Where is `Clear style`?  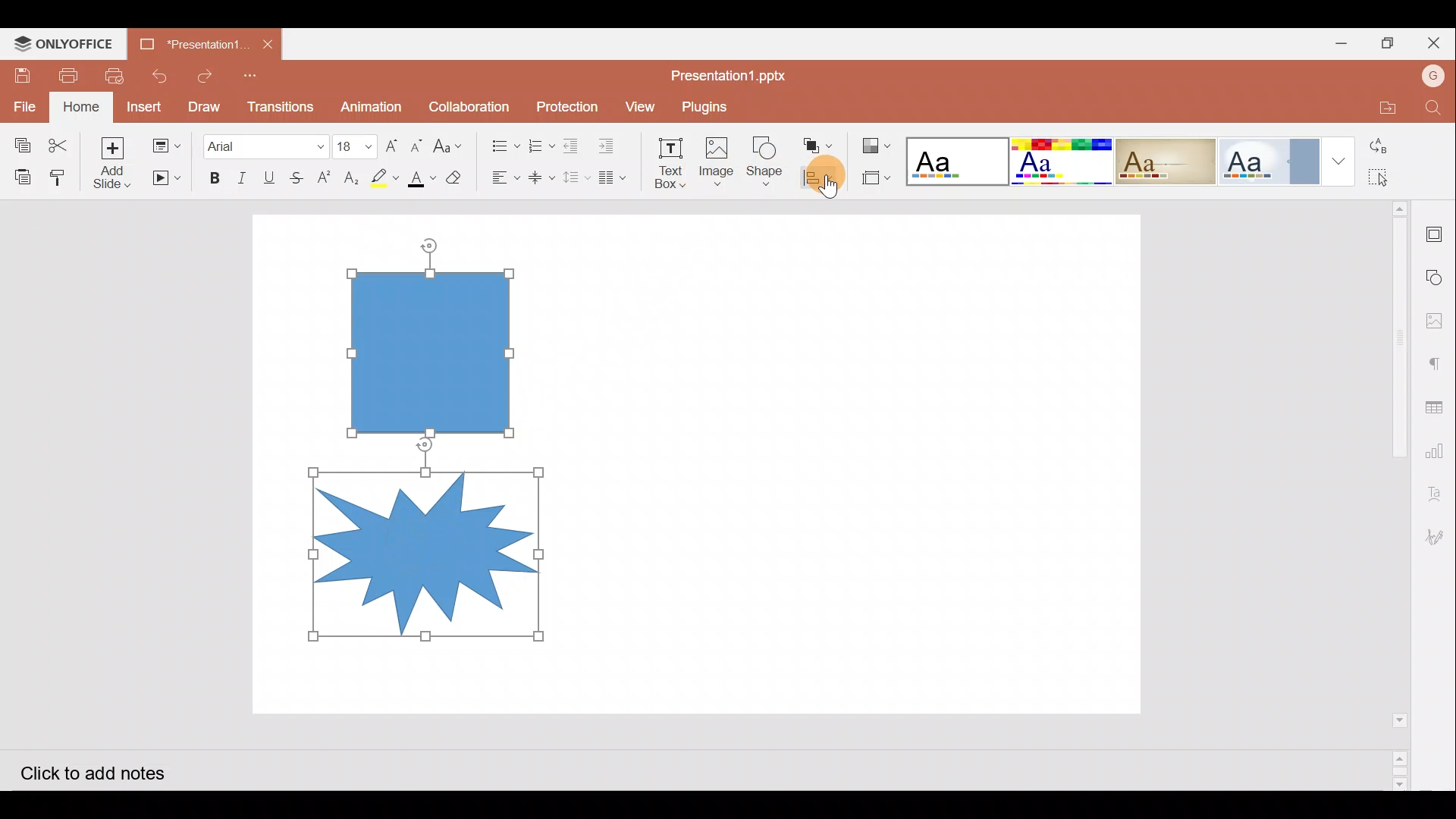 Clear style is located at coordinates (456, 176).